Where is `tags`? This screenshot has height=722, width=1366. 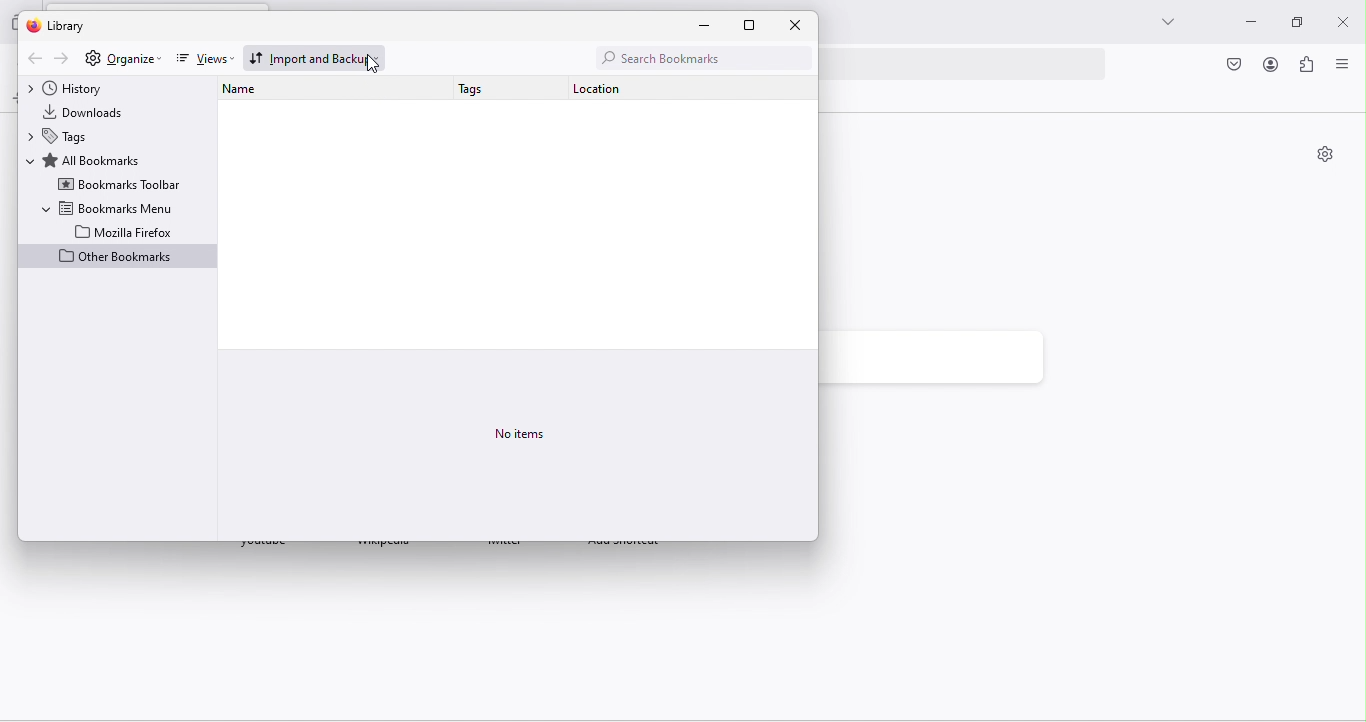 tags is located at coordinates (67, 136).